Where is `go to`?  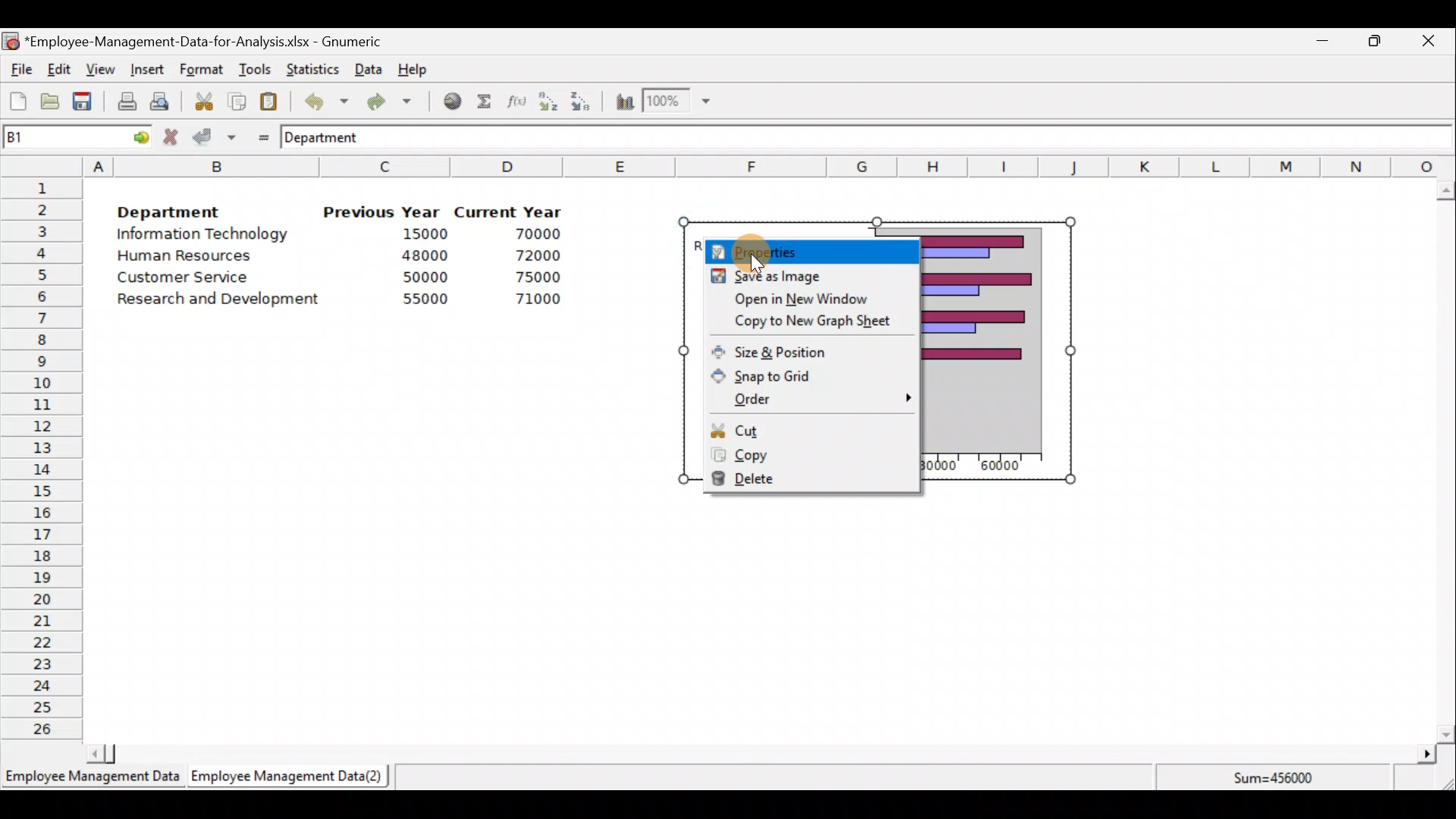 go to is located at coordinates (135, 135).